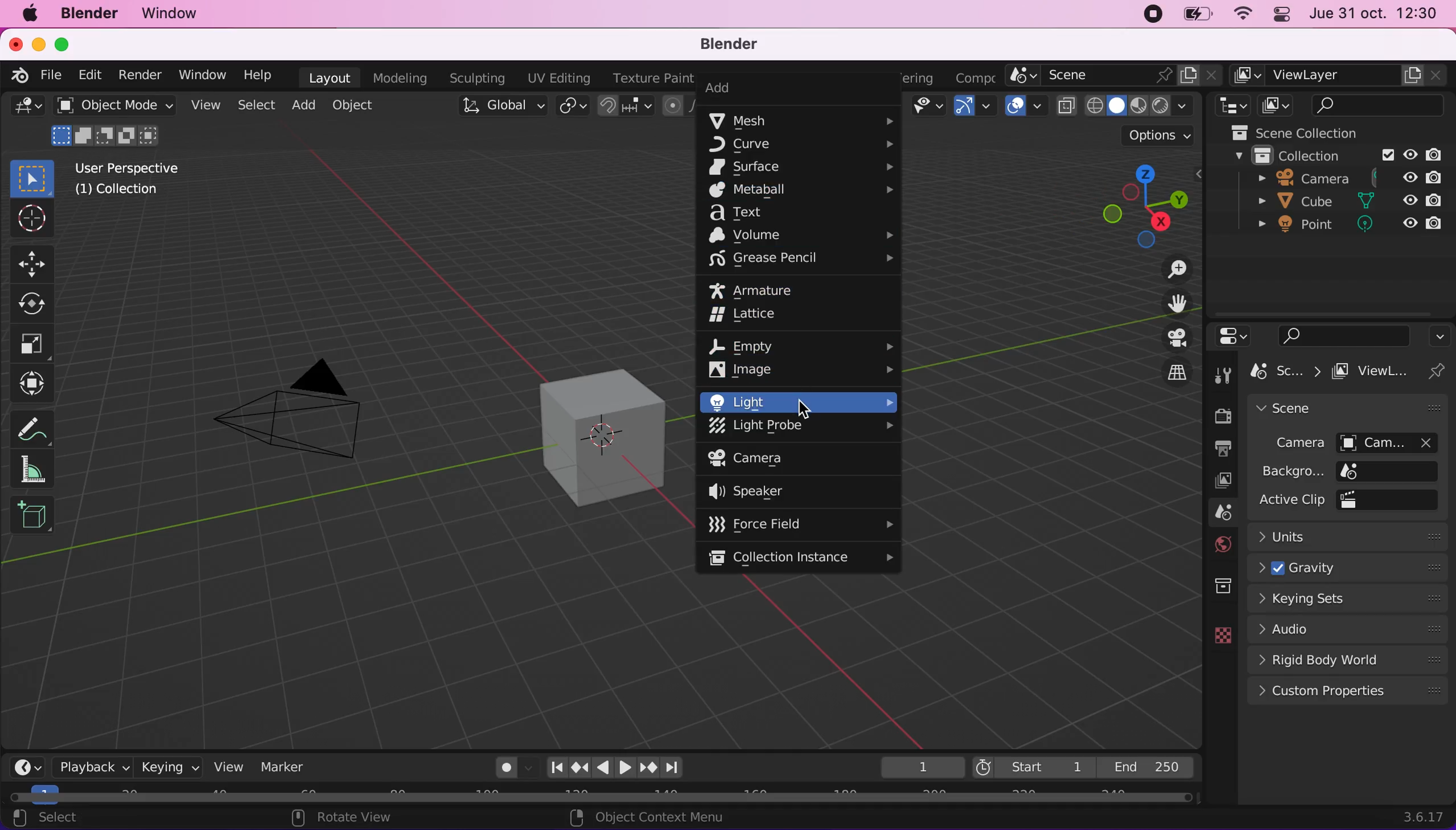 The width and height of the screenshot is (1456, 830). I want to click on disable in renders, so click(1439, 153).